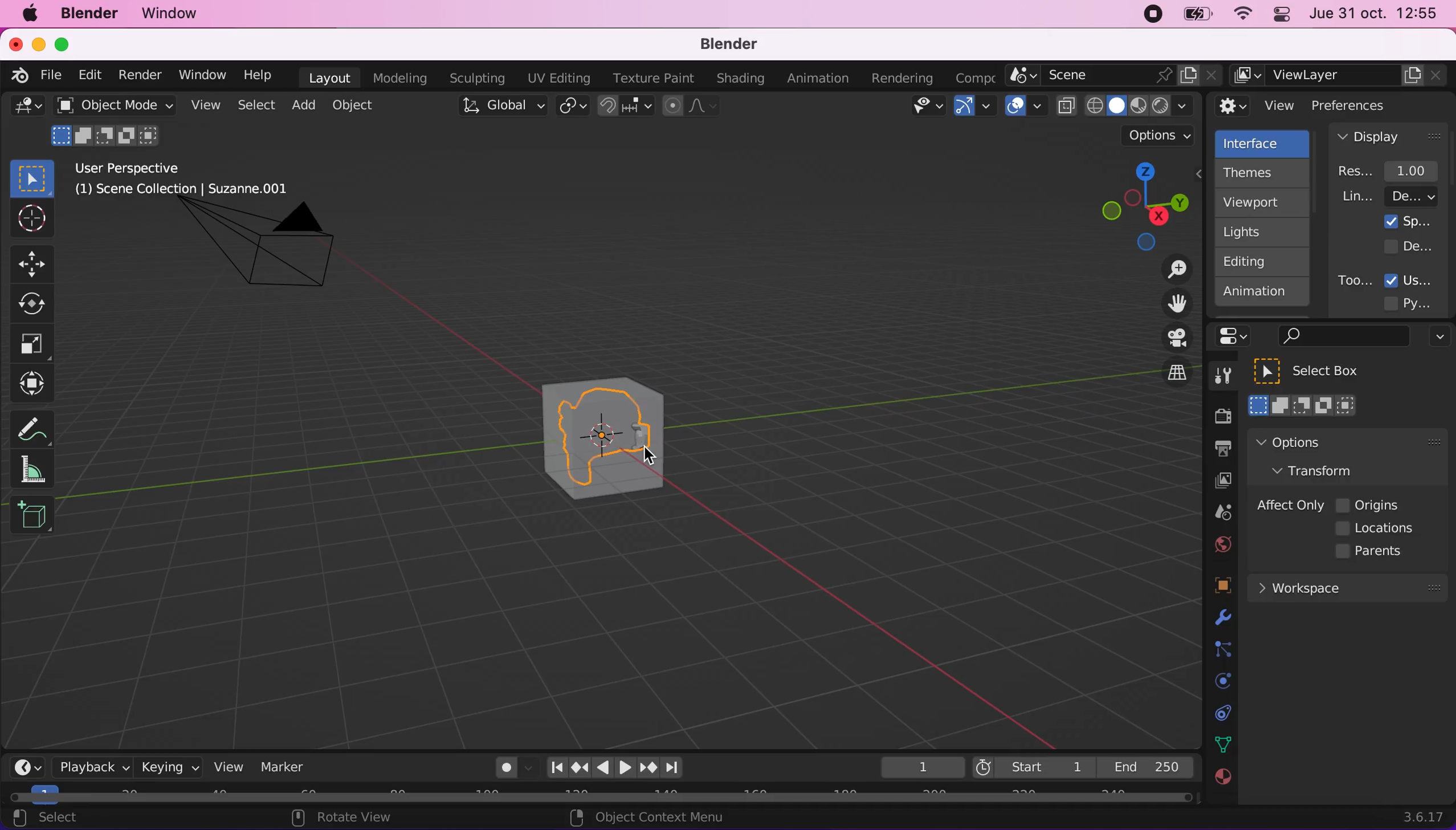 The image size is (1456, 830). Describe the element at coordinates (921, 768) in the screenshot. I see `keyframe` at that location.